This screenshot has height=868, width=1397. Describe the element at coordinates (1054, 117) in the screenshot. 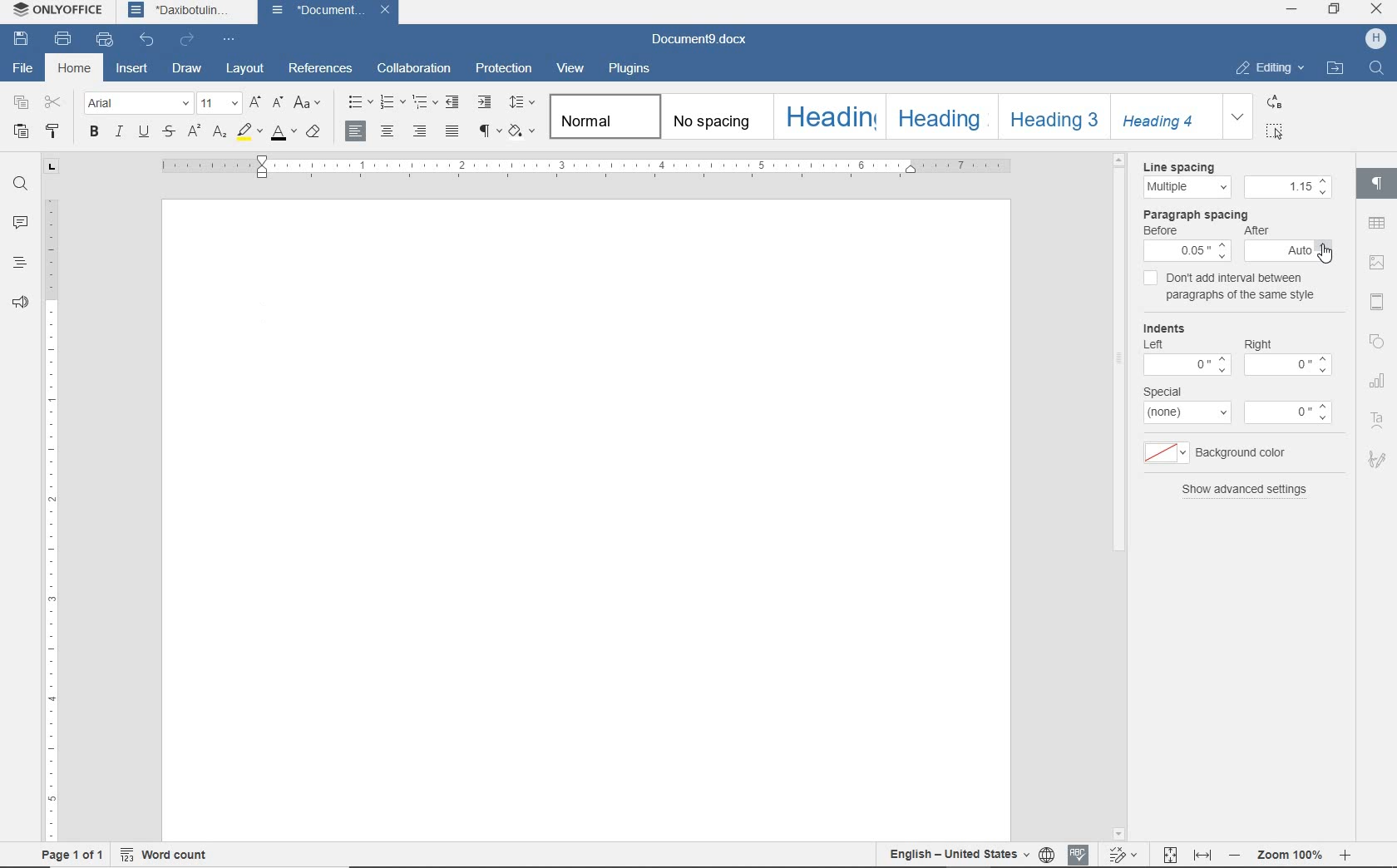

I see `Heading 3` at that location.